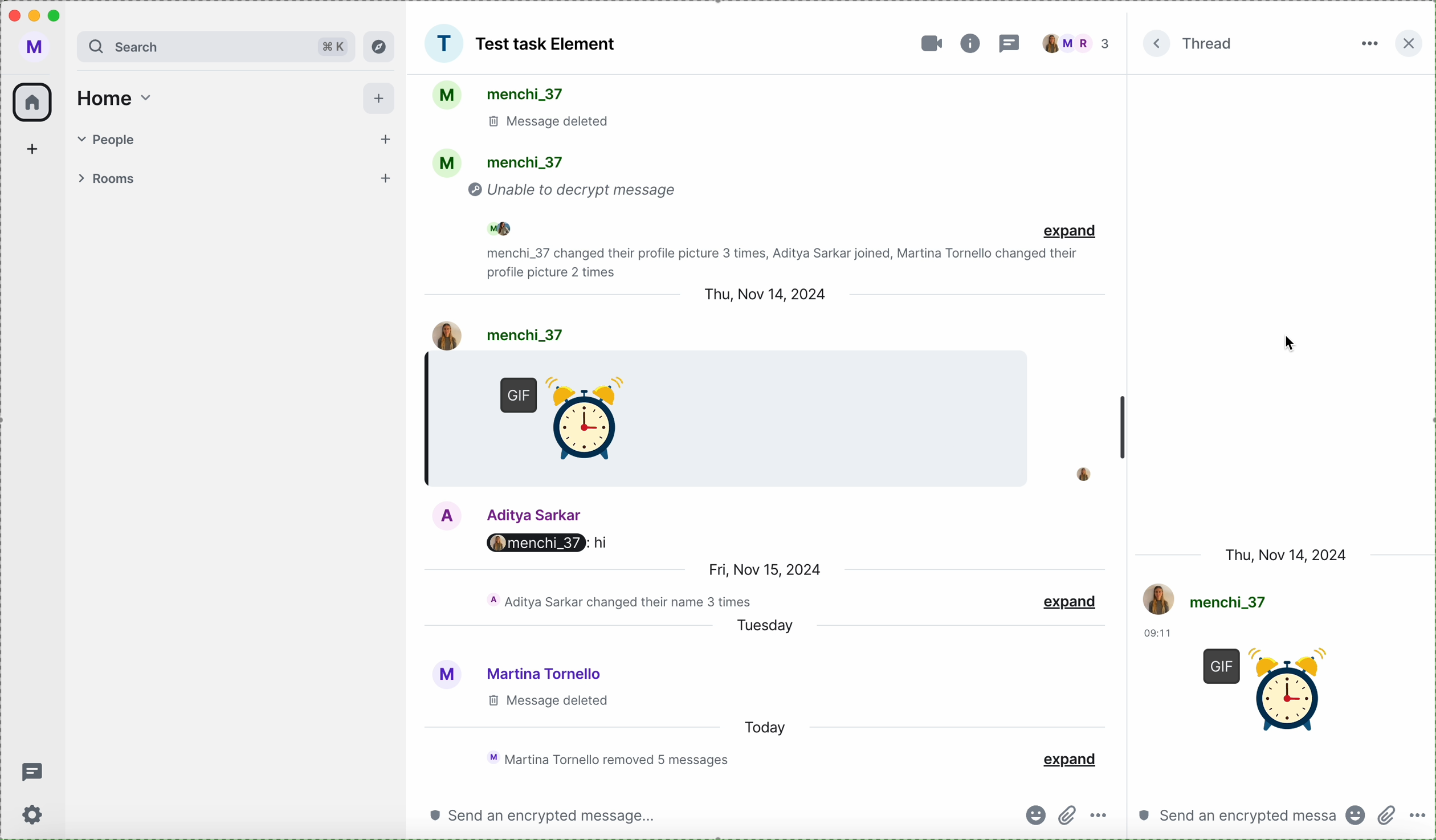 Image resolution: width=1436 pixels, height=840 pixels. I want to click on send a message, so click(1237, 818).